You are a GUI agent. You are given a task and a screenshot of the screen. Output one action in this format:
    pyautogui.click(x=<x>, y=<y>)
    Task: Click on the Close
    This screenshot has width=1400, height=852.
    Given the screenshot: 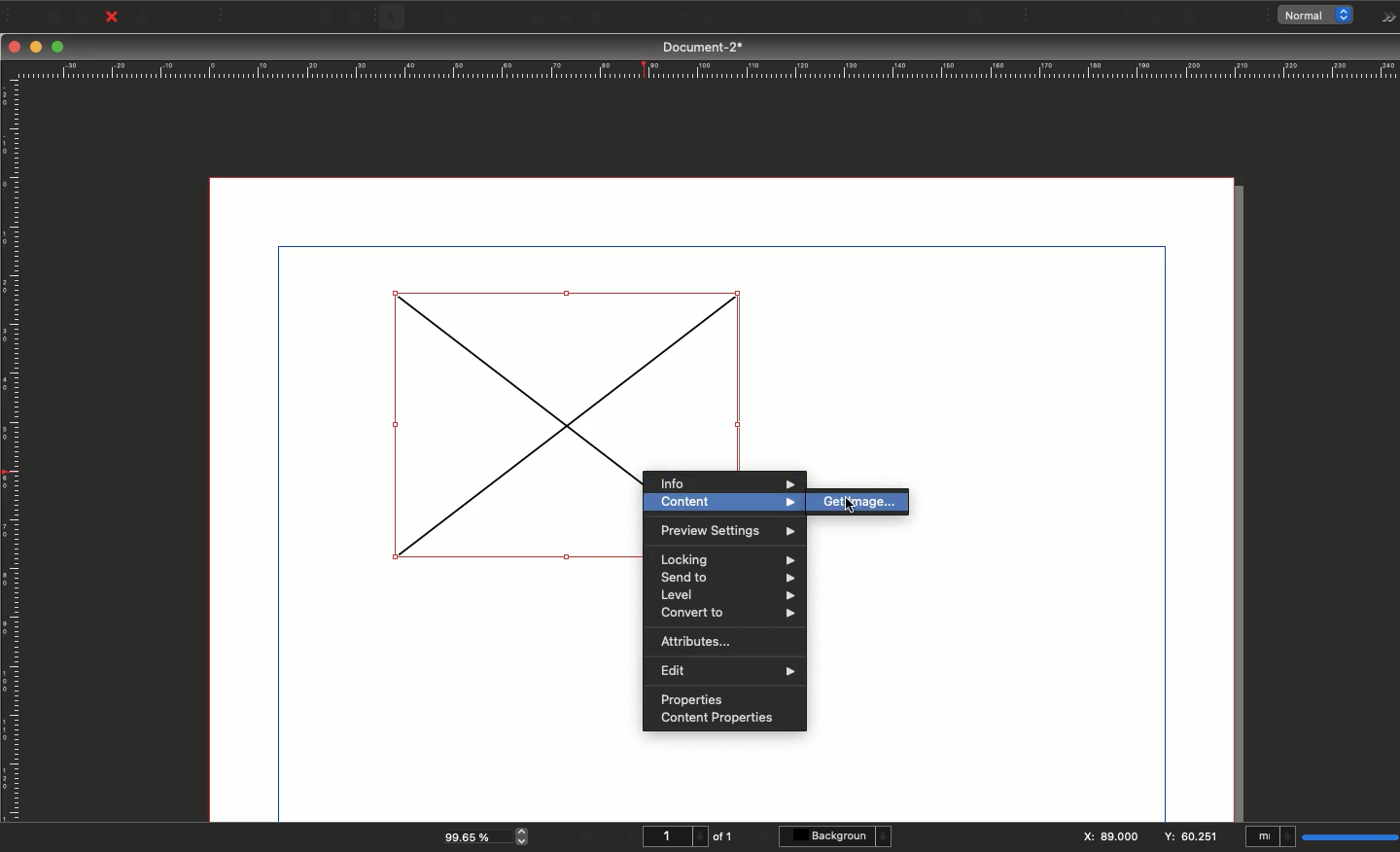 What is the action you would take?
    pyautogui.click(x=112, y=18)
    